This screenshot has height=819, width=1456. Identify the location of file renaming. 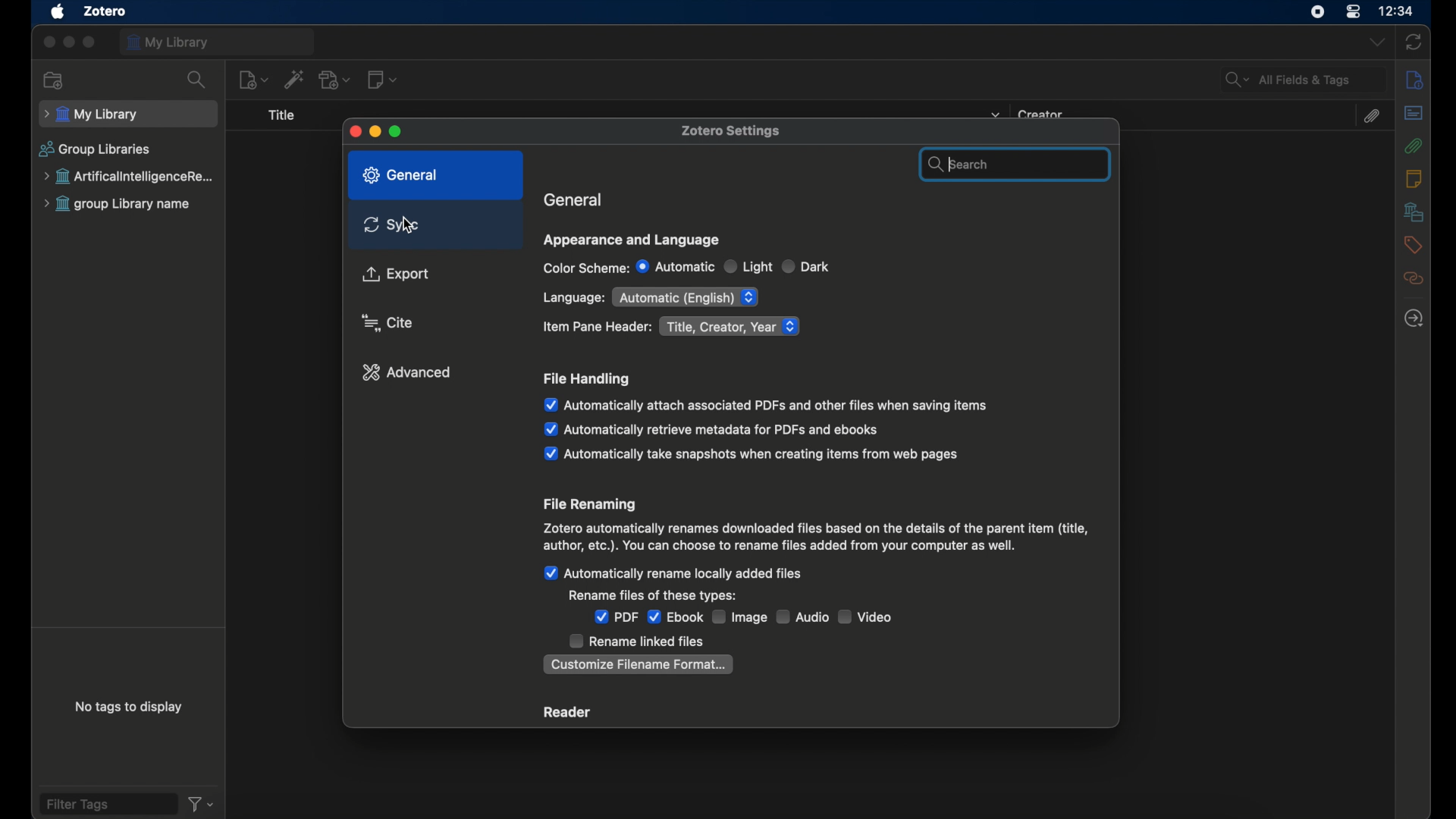
(592, 504).